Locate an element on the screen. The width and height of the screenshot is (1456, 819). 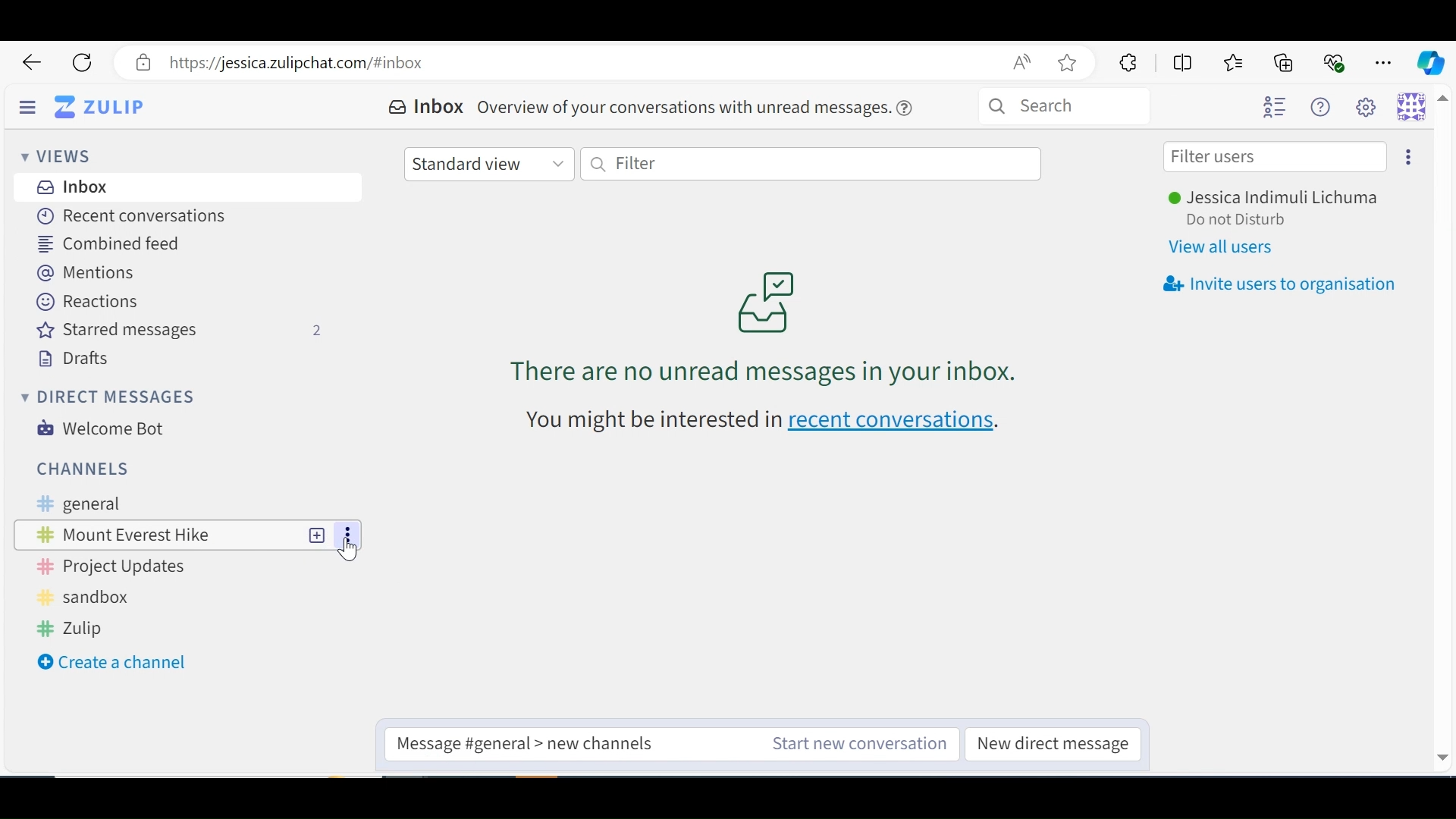
Username is located at coordinates (1281, 199).